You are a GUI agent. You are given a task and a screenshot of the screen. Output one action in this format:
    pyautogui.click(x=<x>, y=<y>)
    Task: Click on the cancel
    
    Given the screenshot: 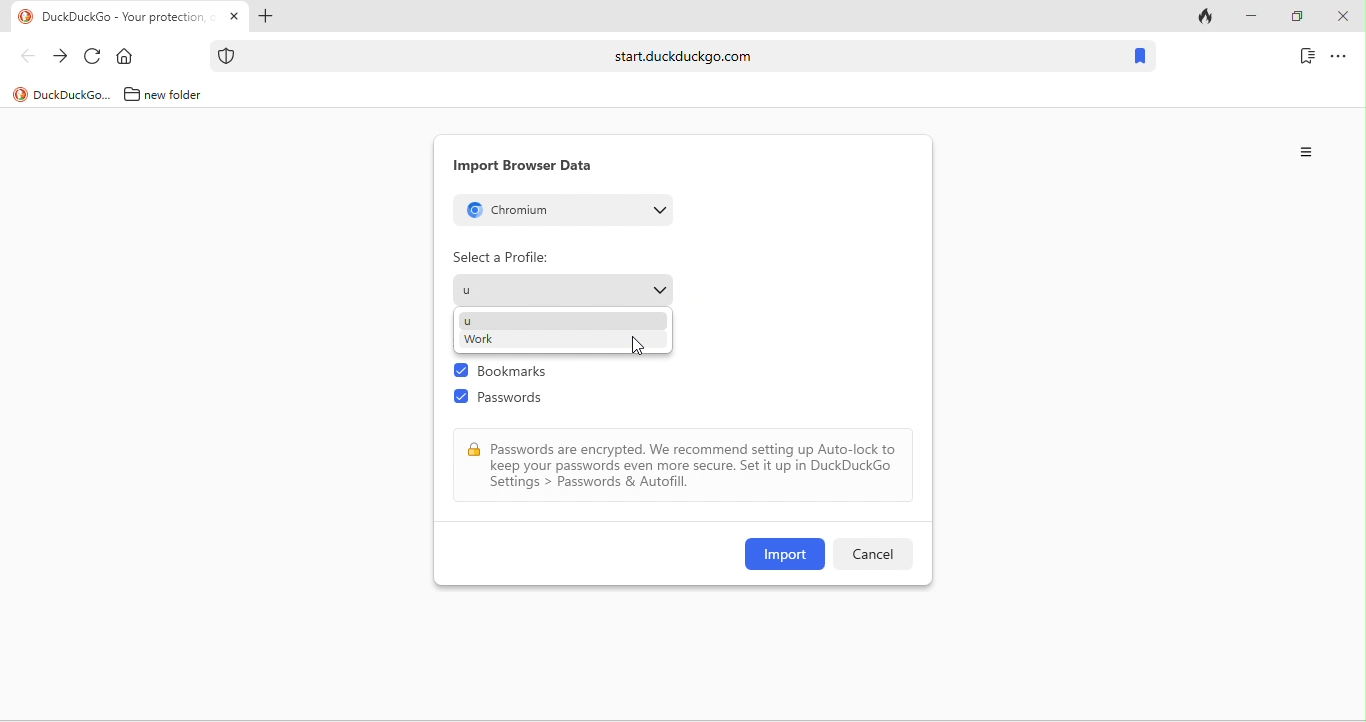 What is the action you would take?
    pyautogui.click(x=871, y=554)
    